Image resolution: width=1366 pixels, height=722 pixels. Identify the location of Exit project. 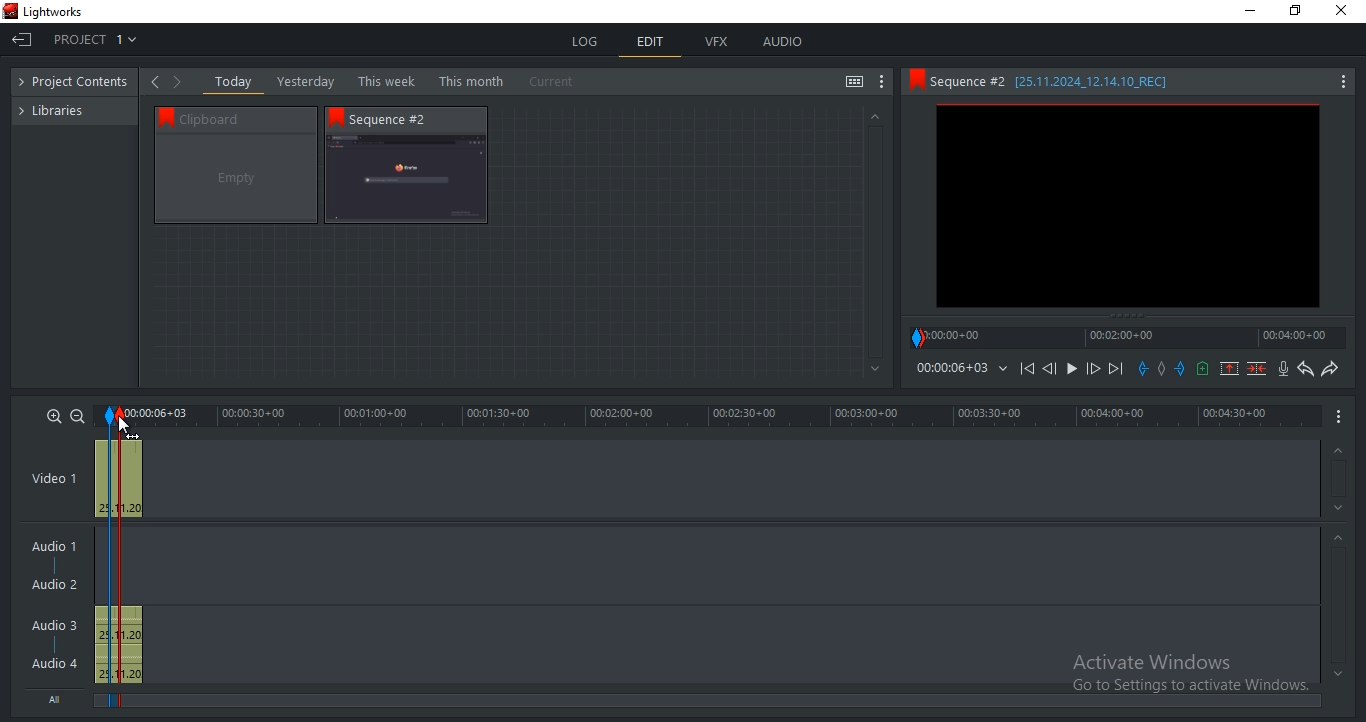
(22, 39).